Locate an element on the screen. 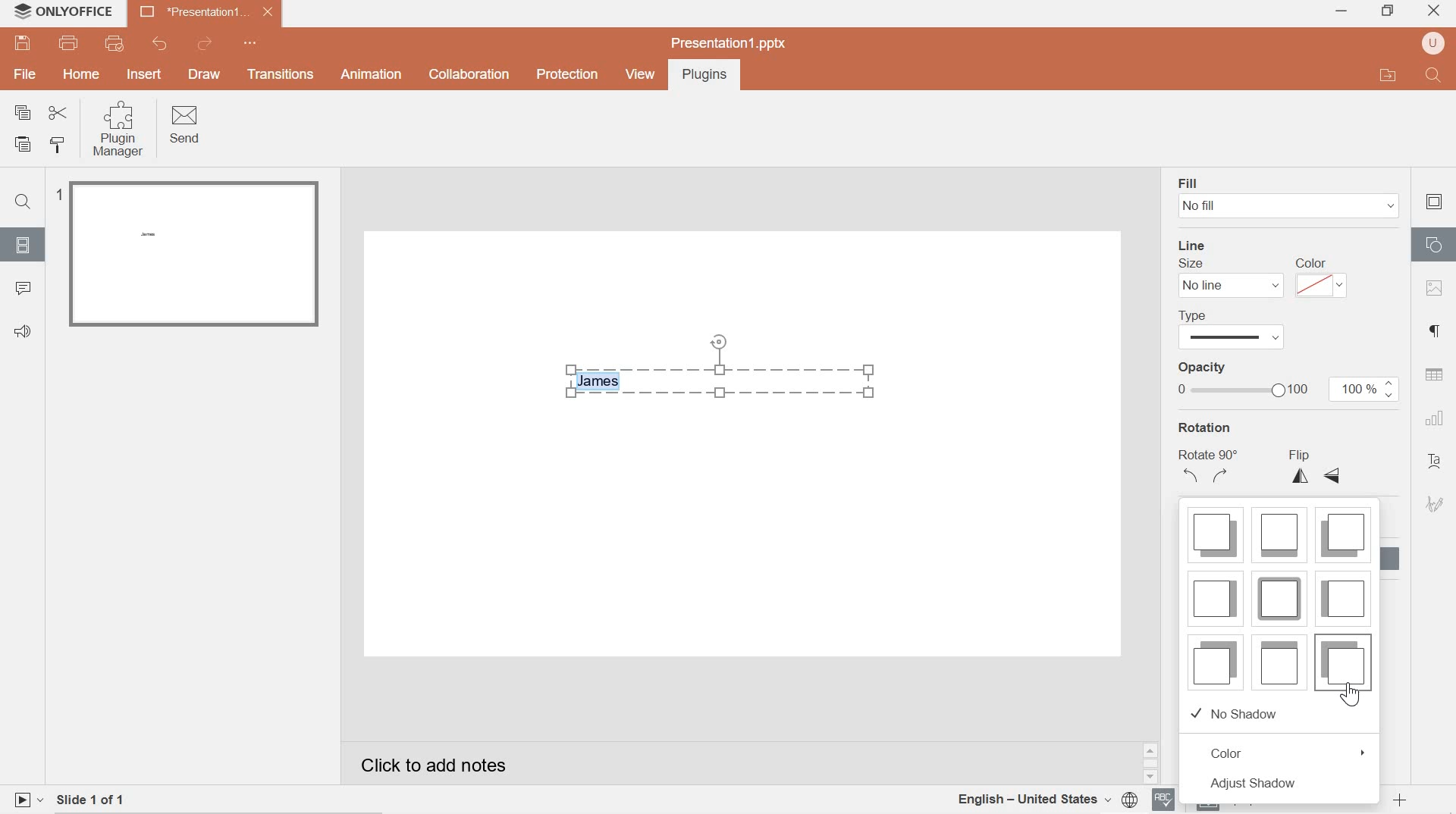 The height and width of the screenshot is (814, 1456). undo is located at coordinates (157, 44).